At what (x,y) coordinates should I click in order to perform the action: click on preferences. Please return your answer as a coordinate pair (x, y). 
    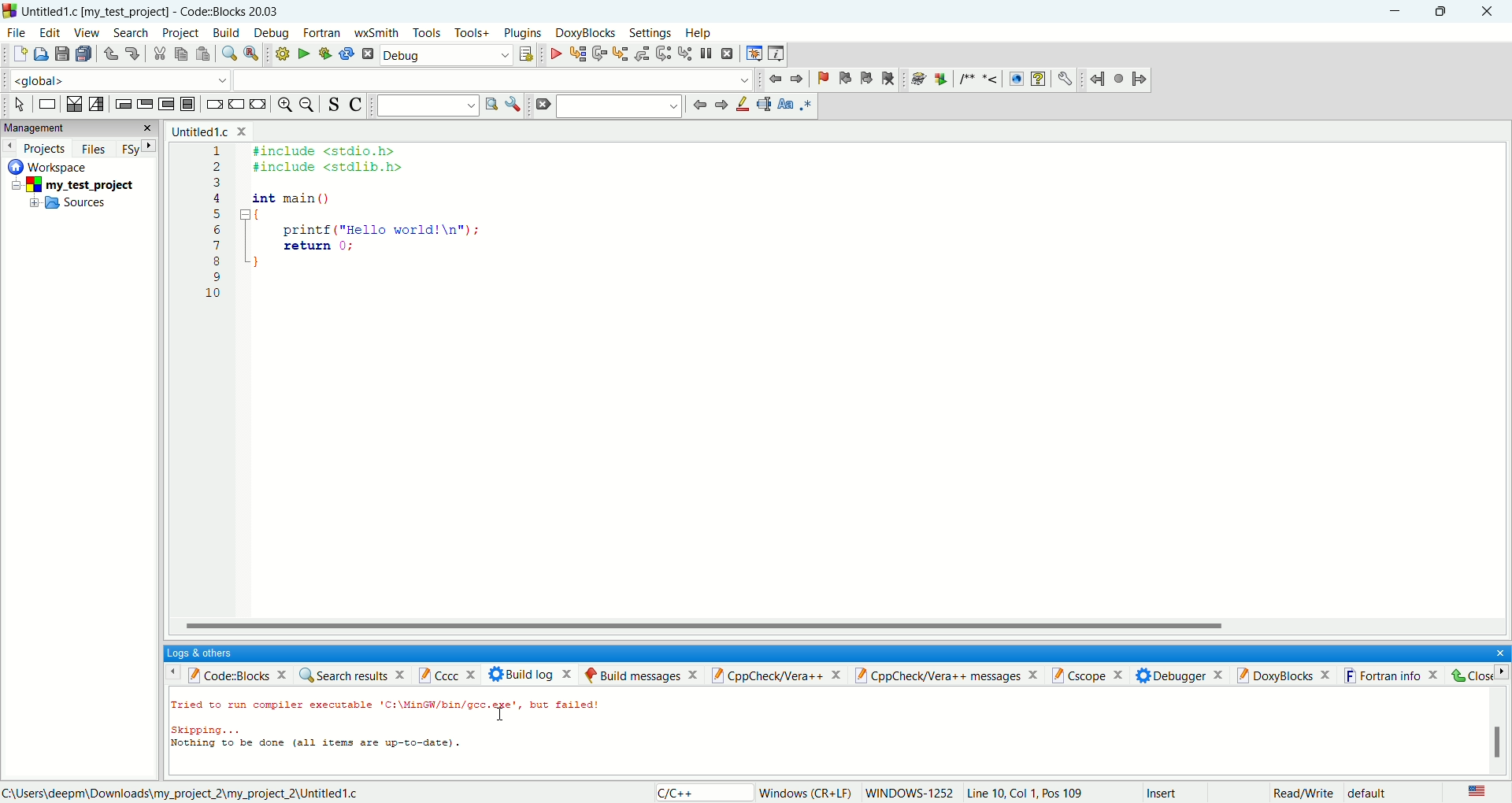
    Looking at the image, I should click on (1065, 80).